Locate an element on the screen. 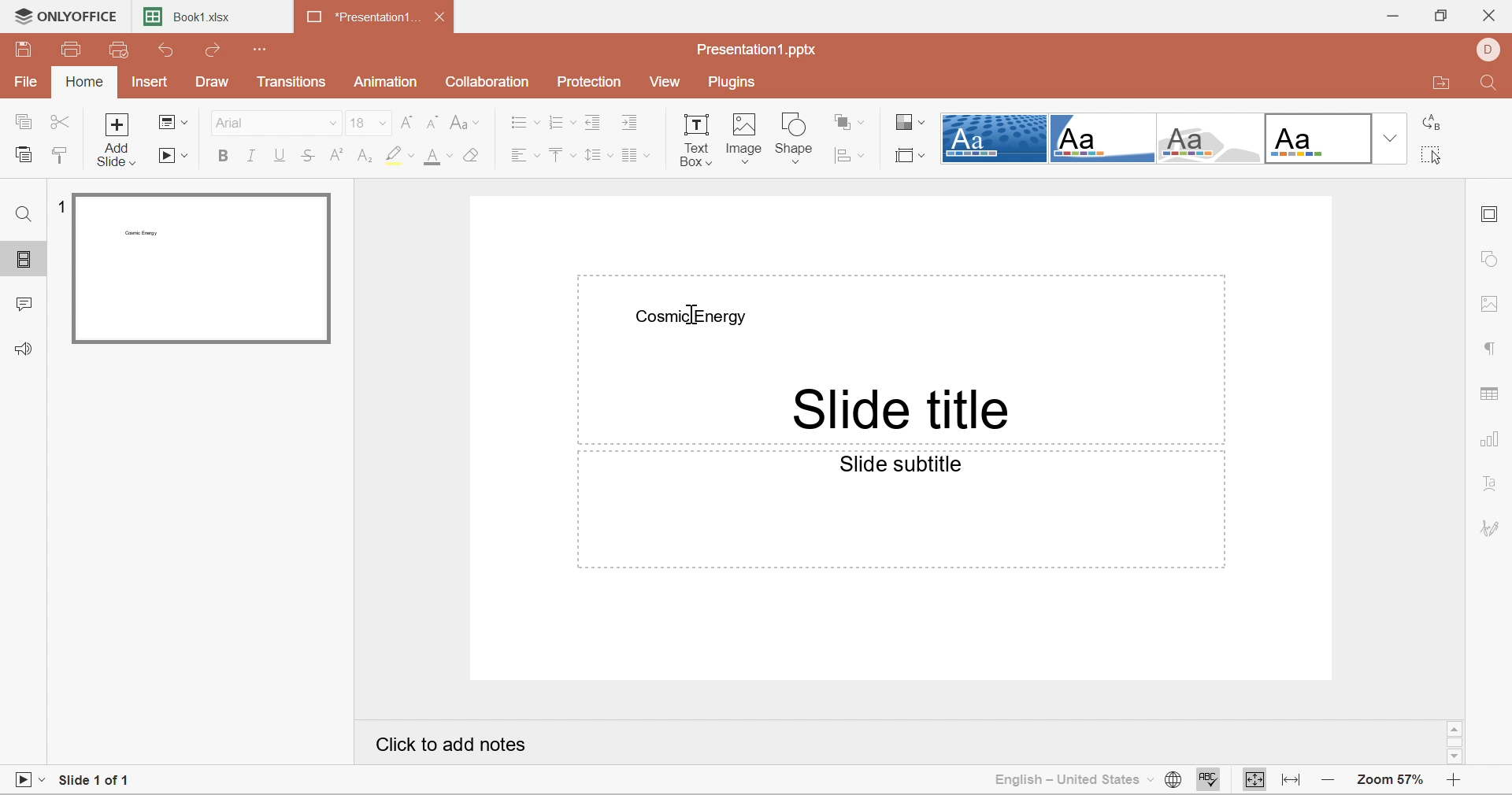 Image resolution: width=1512 pixels, height=795 pixels. Arial is located at coordinates (273, 123).